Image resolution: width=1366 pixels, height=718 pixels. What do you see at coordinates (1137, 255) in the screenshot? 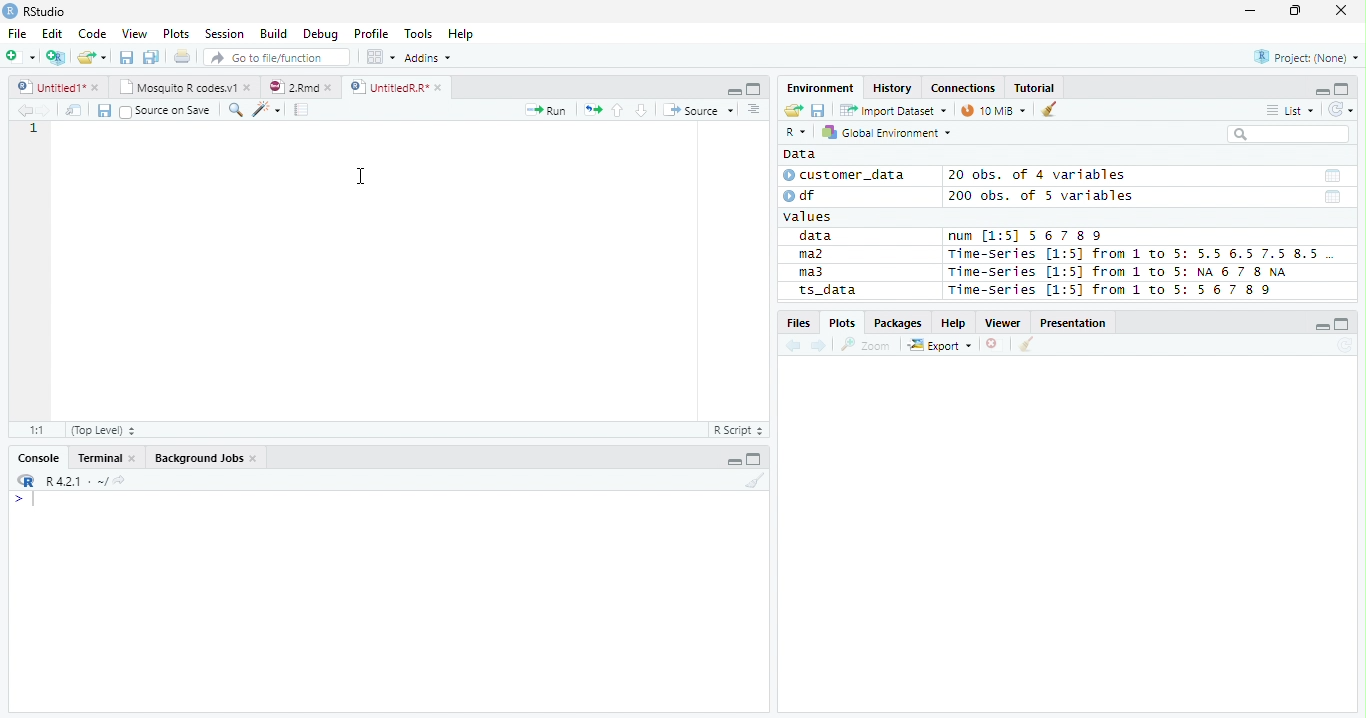
I see `Time-Series [1:5] from 1 to 5: 5.5 6.5 7.5 8.5` at bounding box center [1137, 255].